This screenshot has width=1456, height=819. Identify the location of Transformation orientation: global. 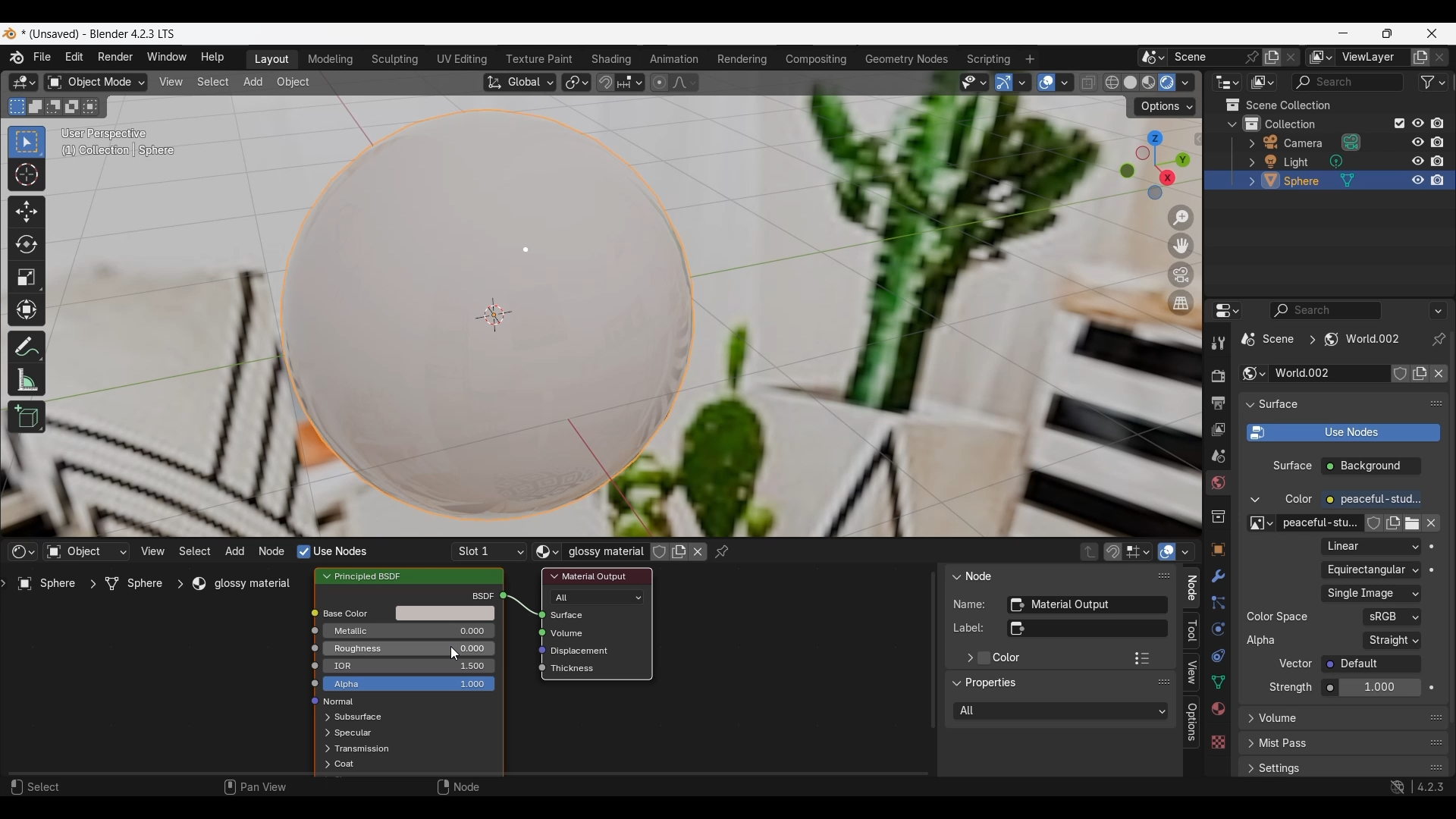
(519, 83).